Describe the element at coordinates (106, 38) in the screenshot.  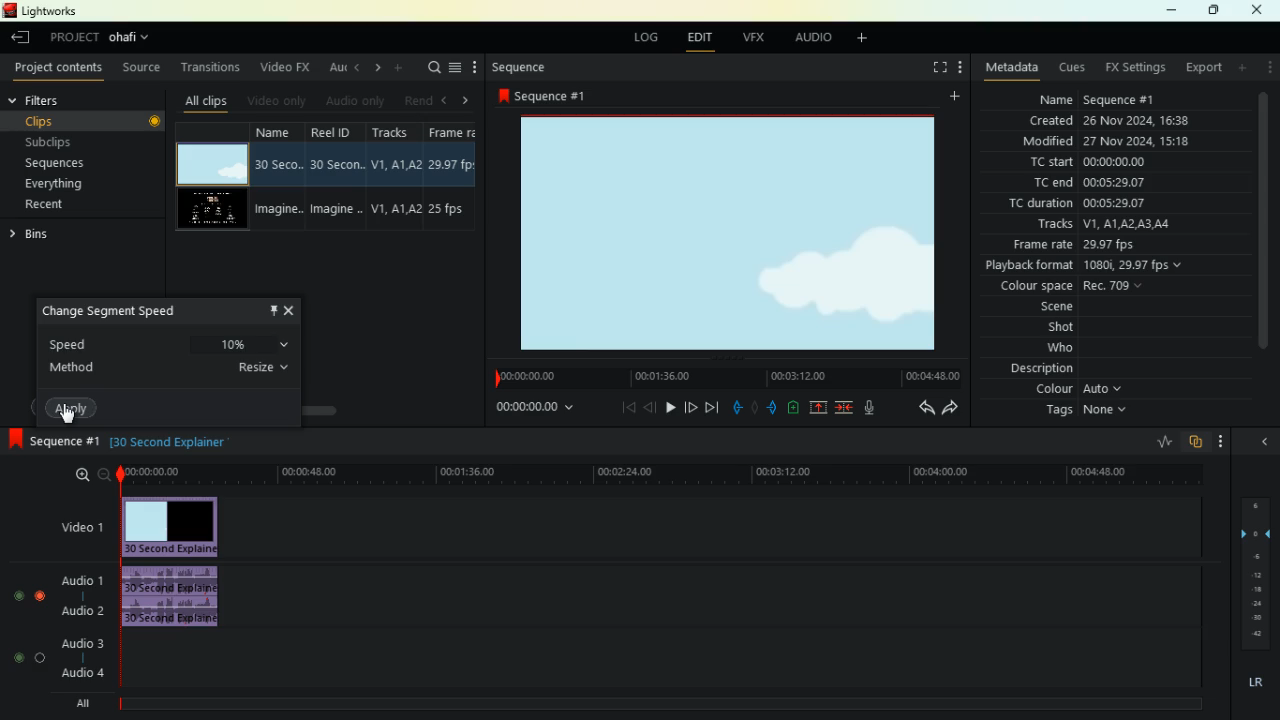
I see `project` at that location.